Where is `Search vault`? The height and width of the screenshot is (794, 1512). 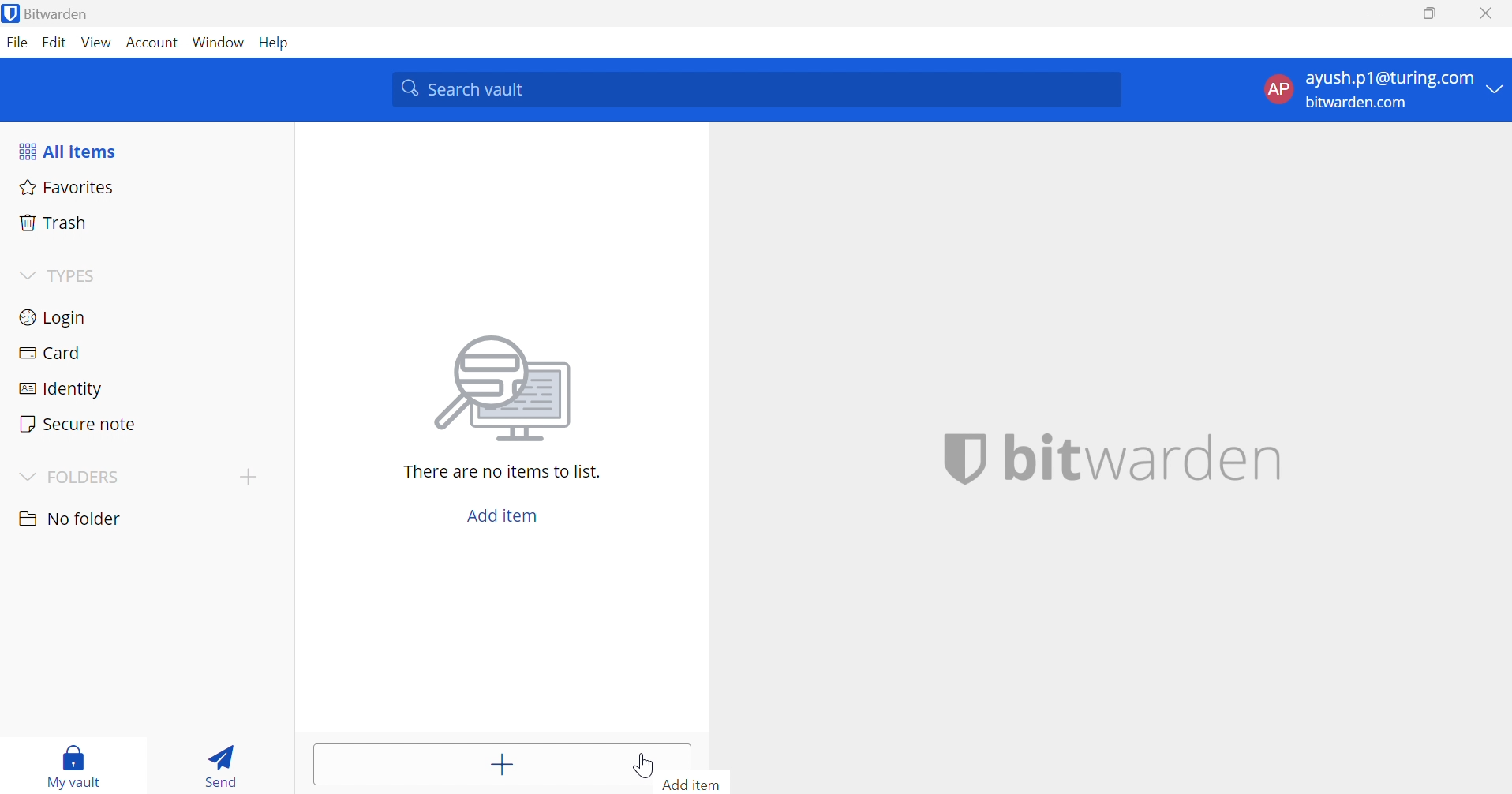 Search vault is located at coordinates (758, 90).